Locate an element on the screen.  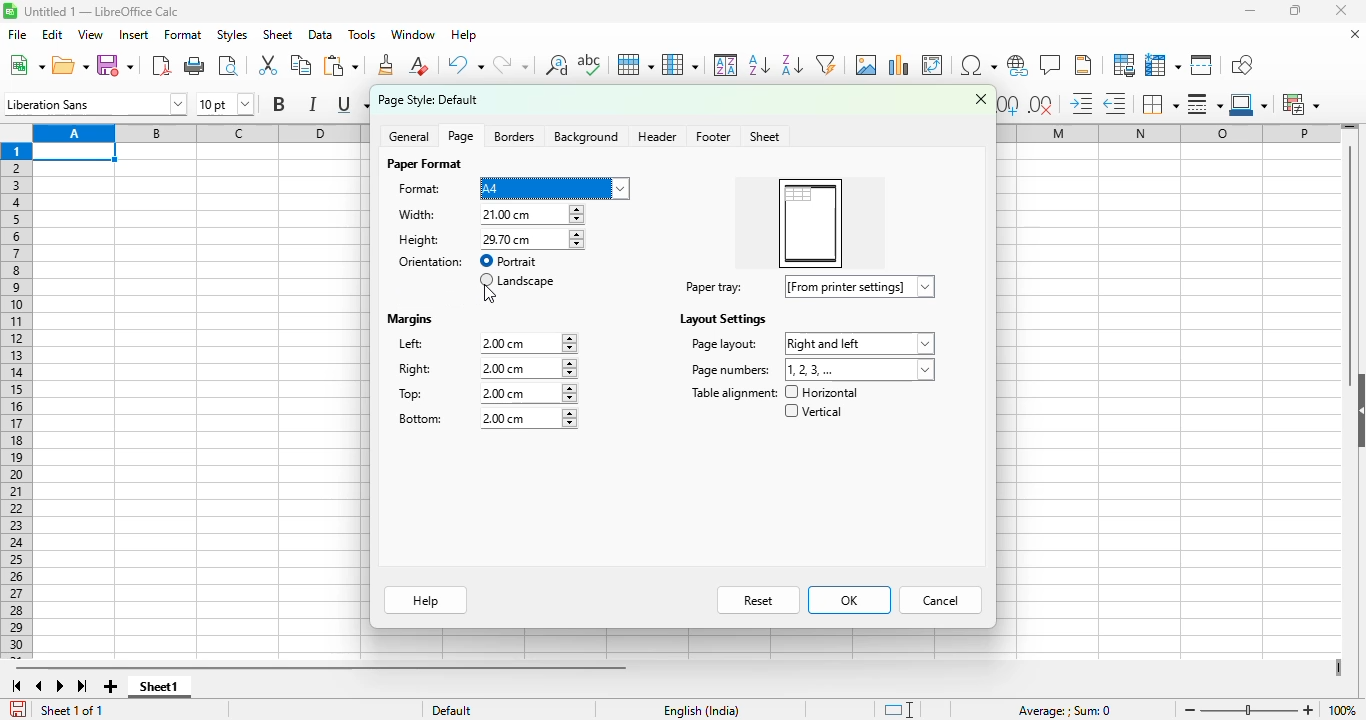
vertical is located at coordinates (812, 411).